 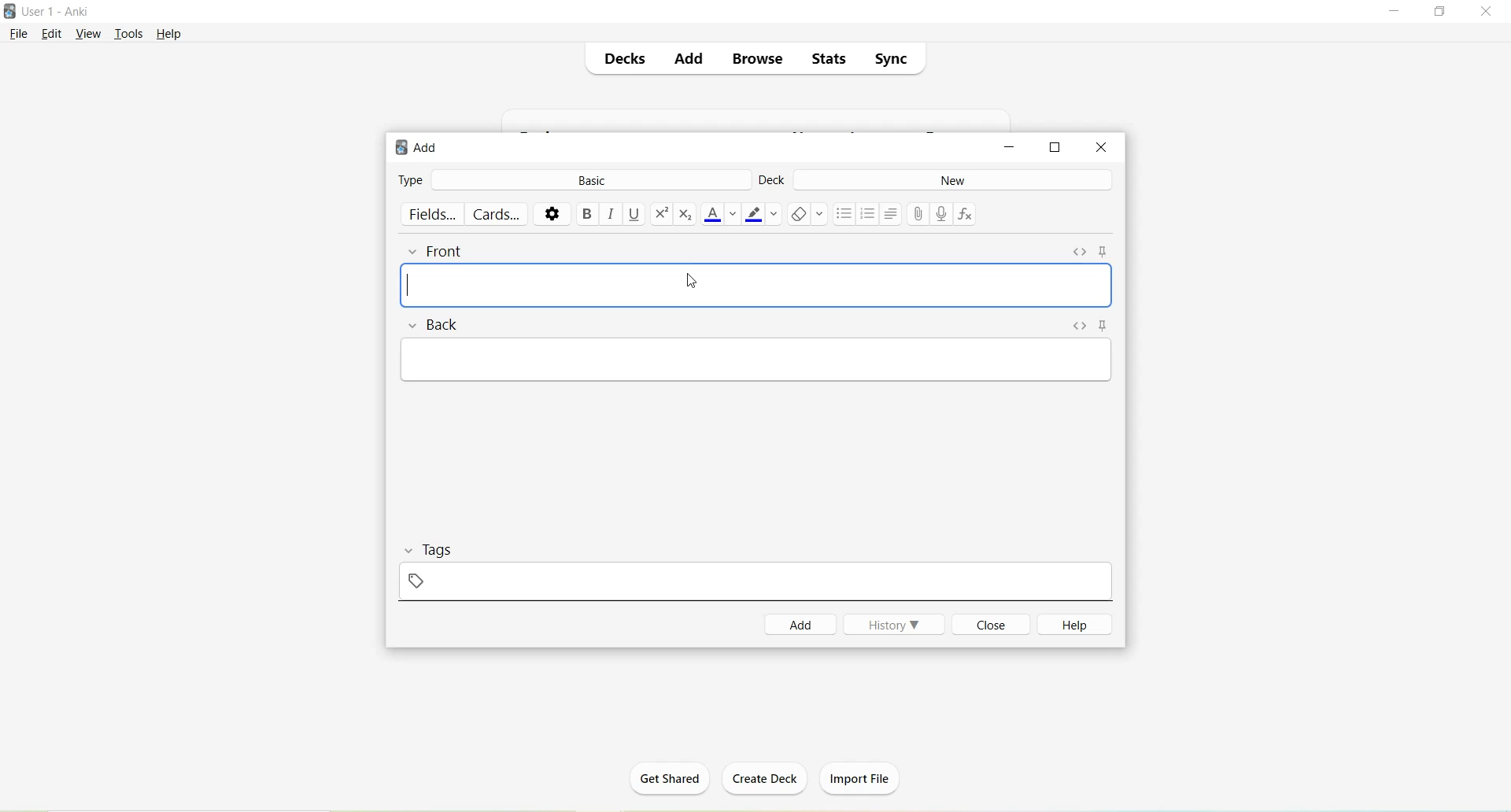 I want to click on Deck, so click(x=773, y=183).